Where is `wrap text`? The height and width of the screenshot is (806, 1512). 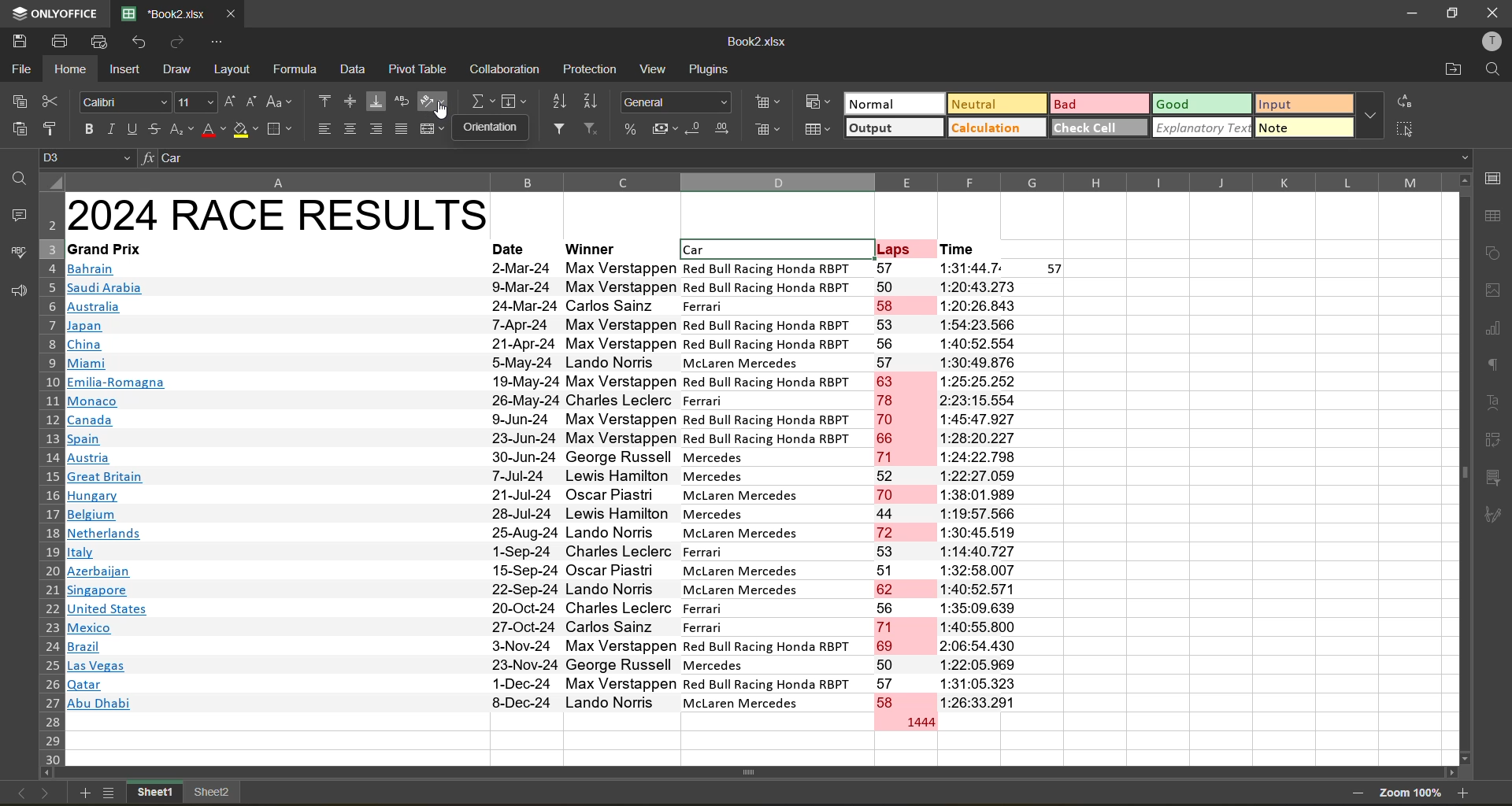 wrap text is located at coordinates (401, 103).